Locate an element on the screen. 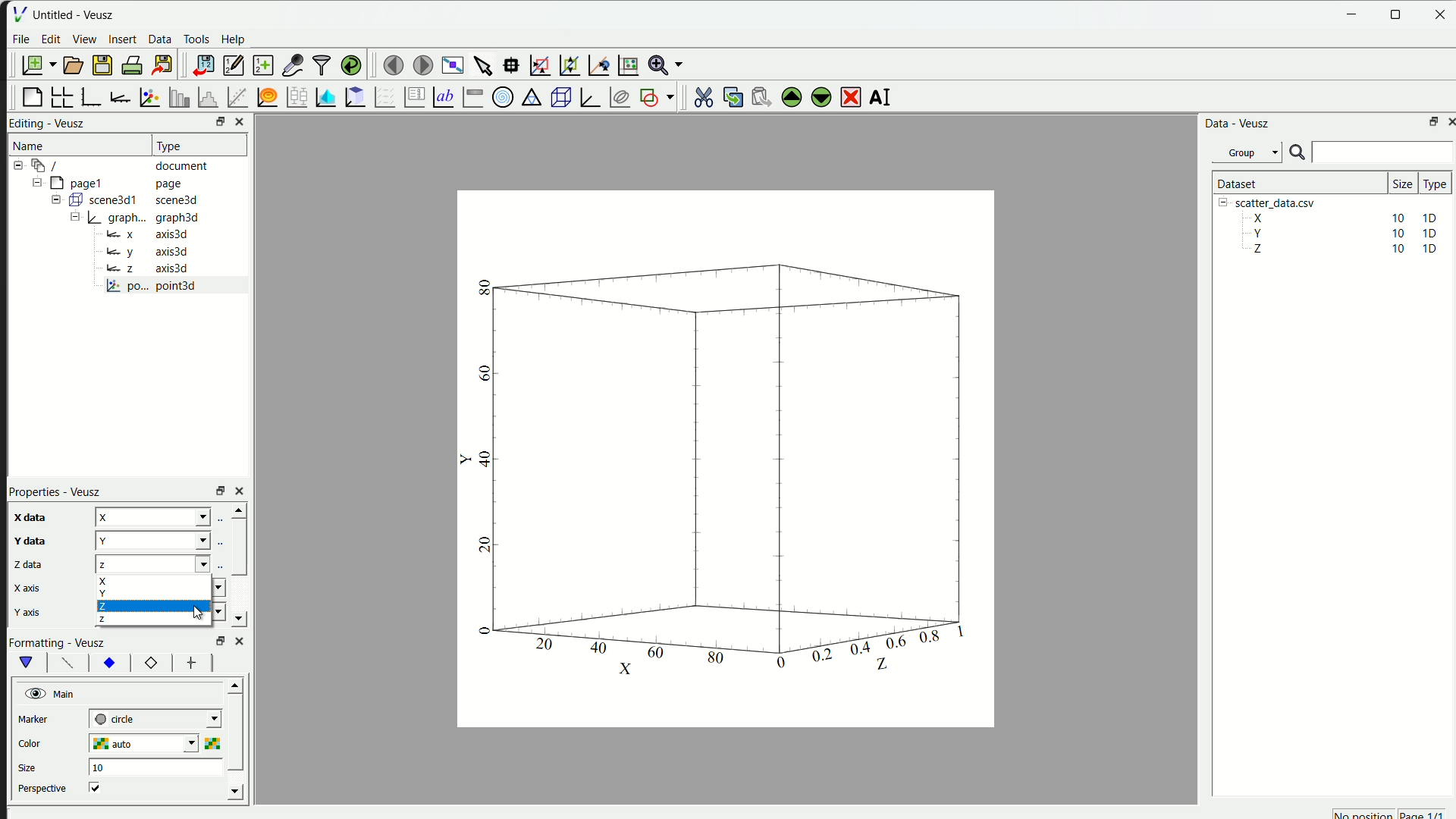  reload linked dataset is located at coordinates (352, 64).